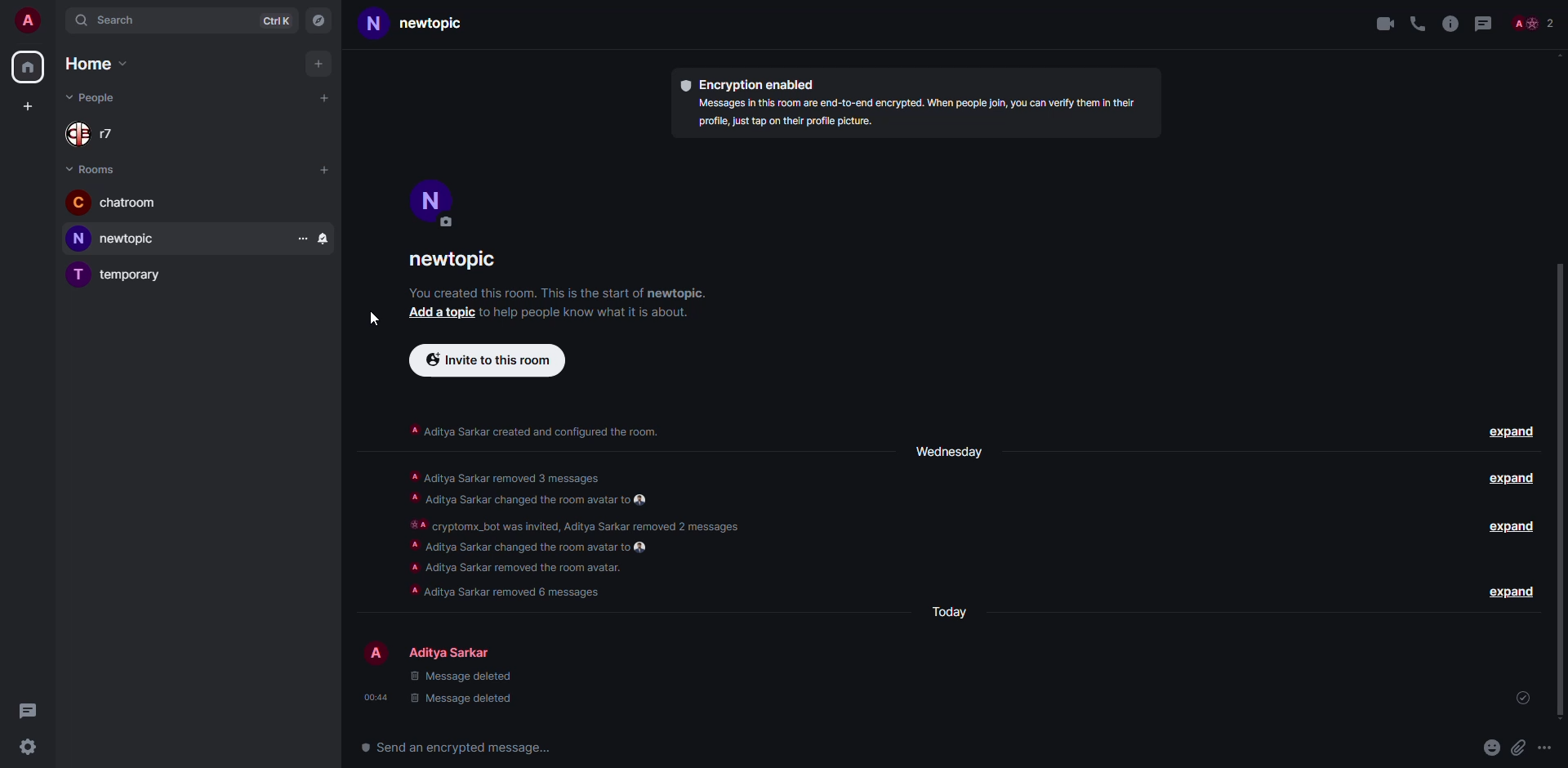 This screenshot has height=768, width=1568. Describe the element at coordinates (29, 745) in the screenshot. I see `settings` at that location.